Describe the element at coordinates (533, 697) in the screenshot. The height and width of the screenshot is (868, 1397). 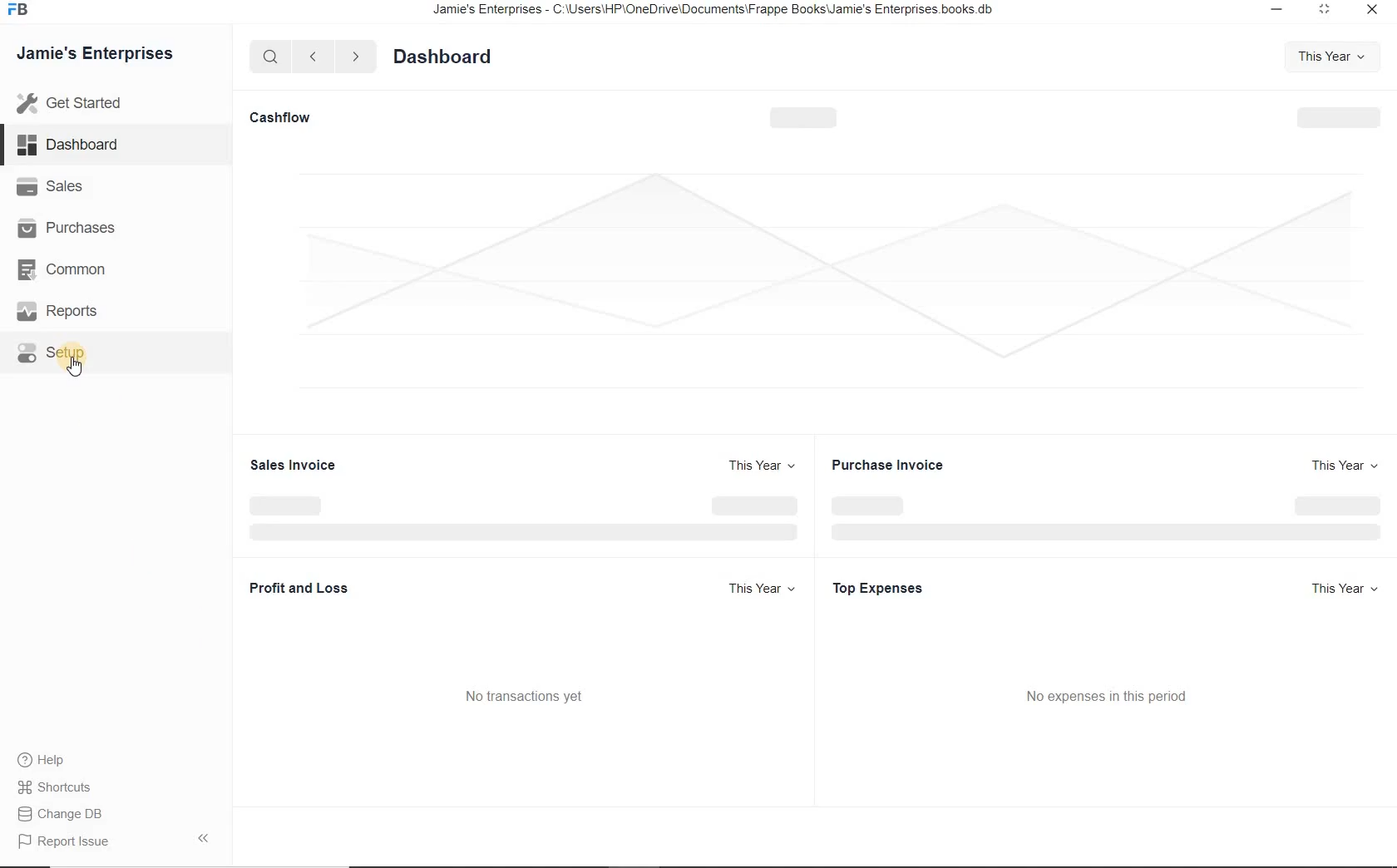
I see `No transactions yet` at that location.